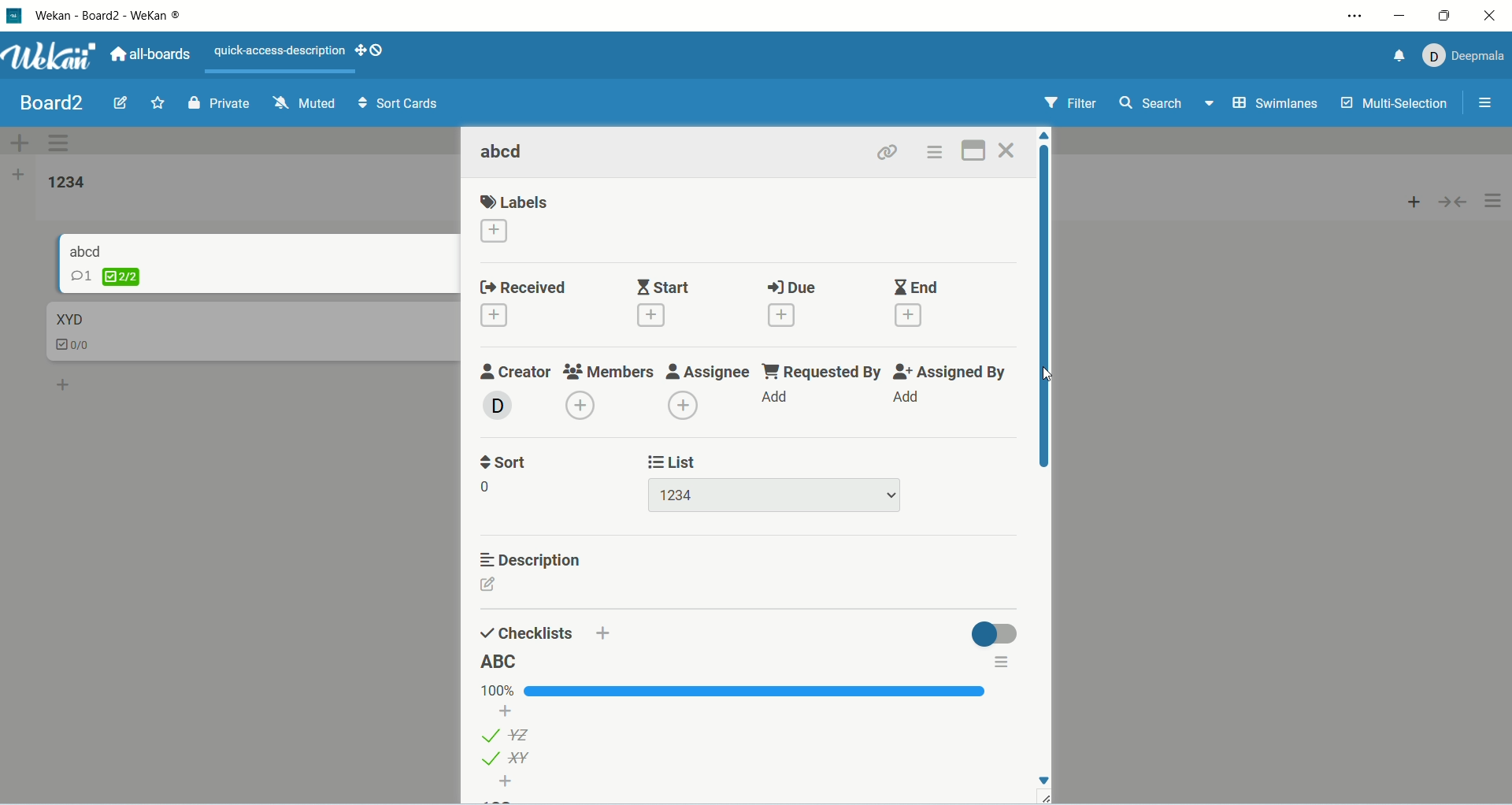 The image size is (1512, 805). I want to click on collapse, so click(1456, 204).